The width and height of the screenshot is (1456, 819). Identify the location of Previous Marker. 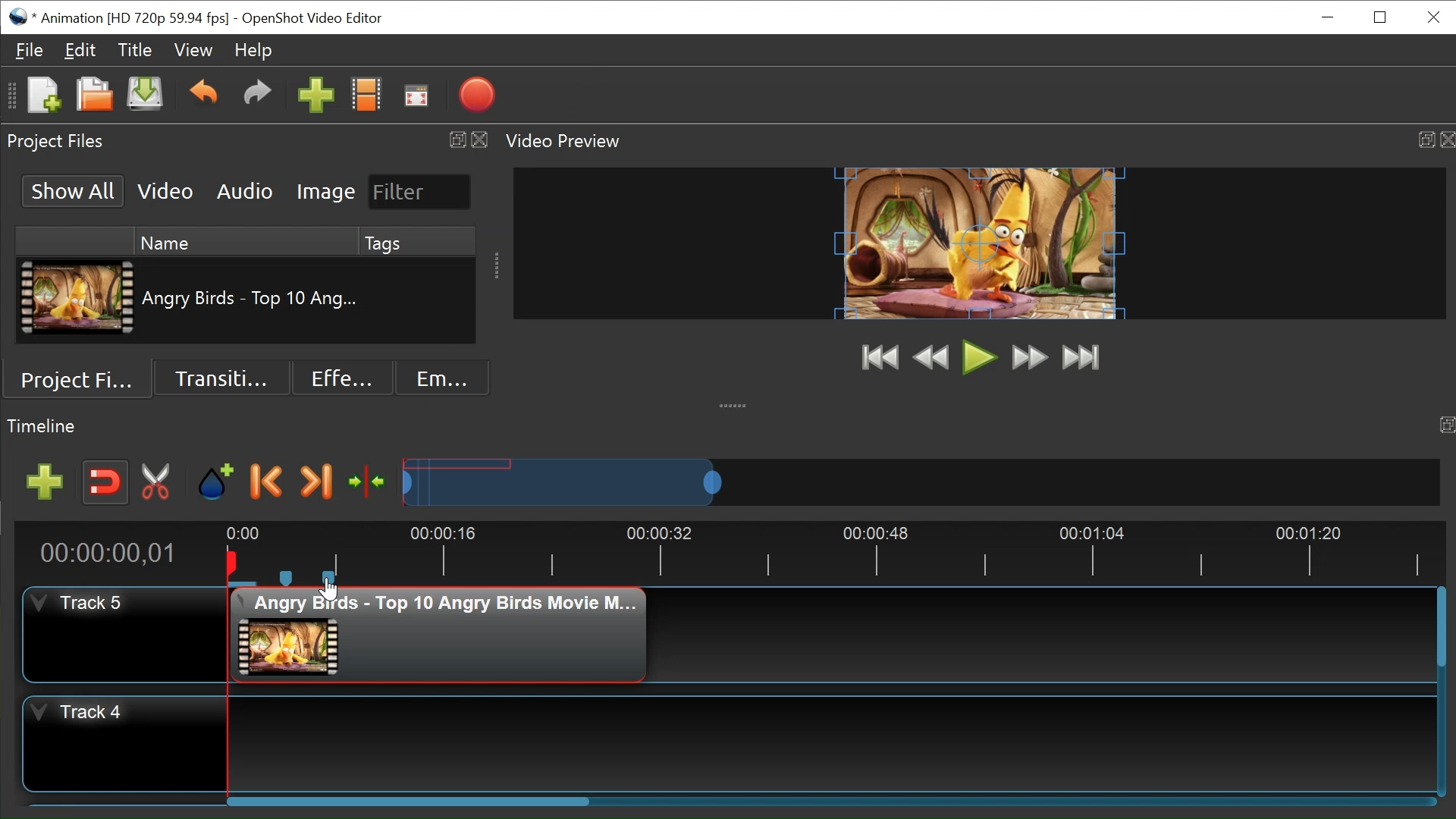
(267, 482).